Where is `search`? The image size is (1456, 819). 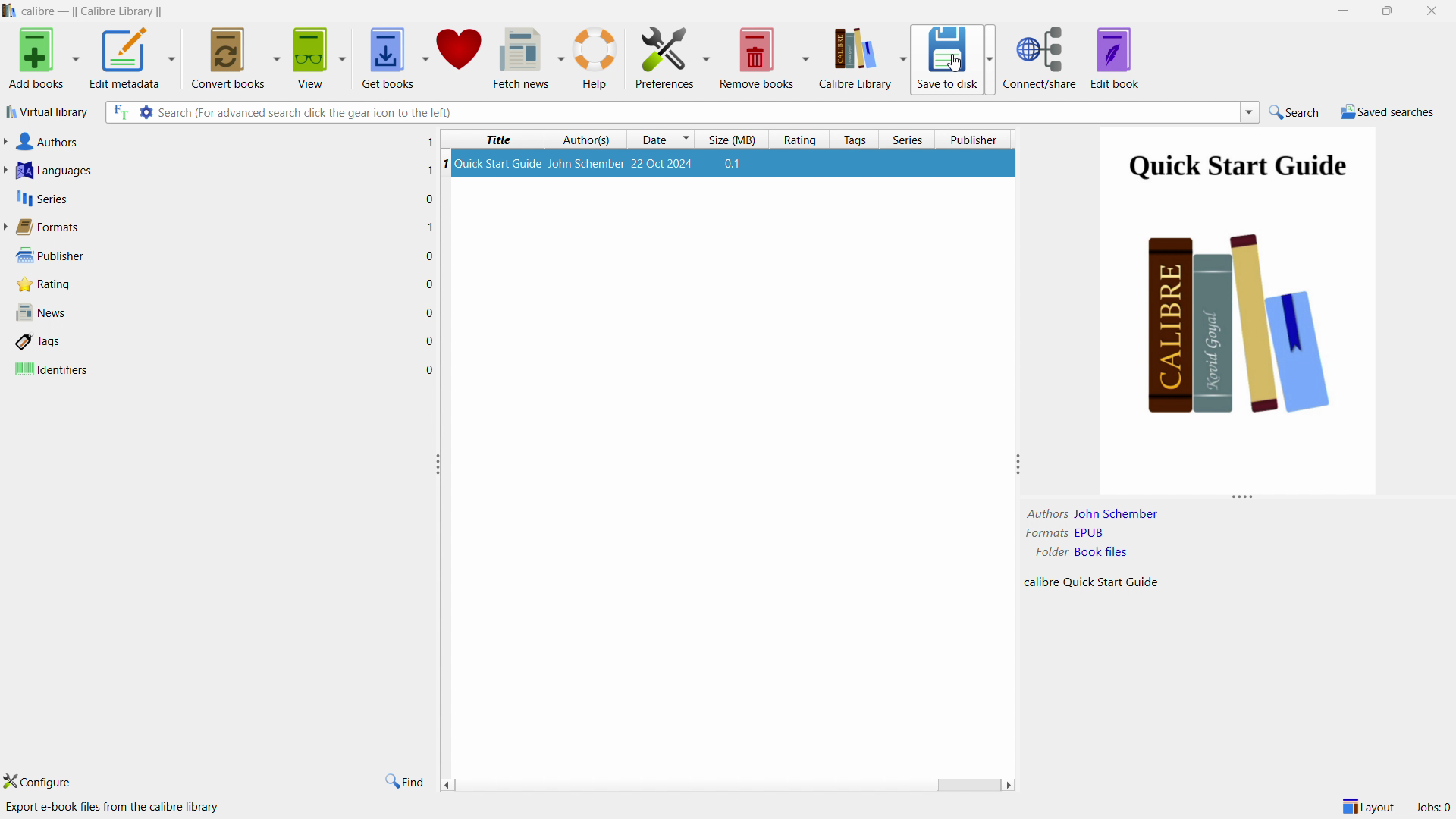 search is located at coordinates (1296, 111).